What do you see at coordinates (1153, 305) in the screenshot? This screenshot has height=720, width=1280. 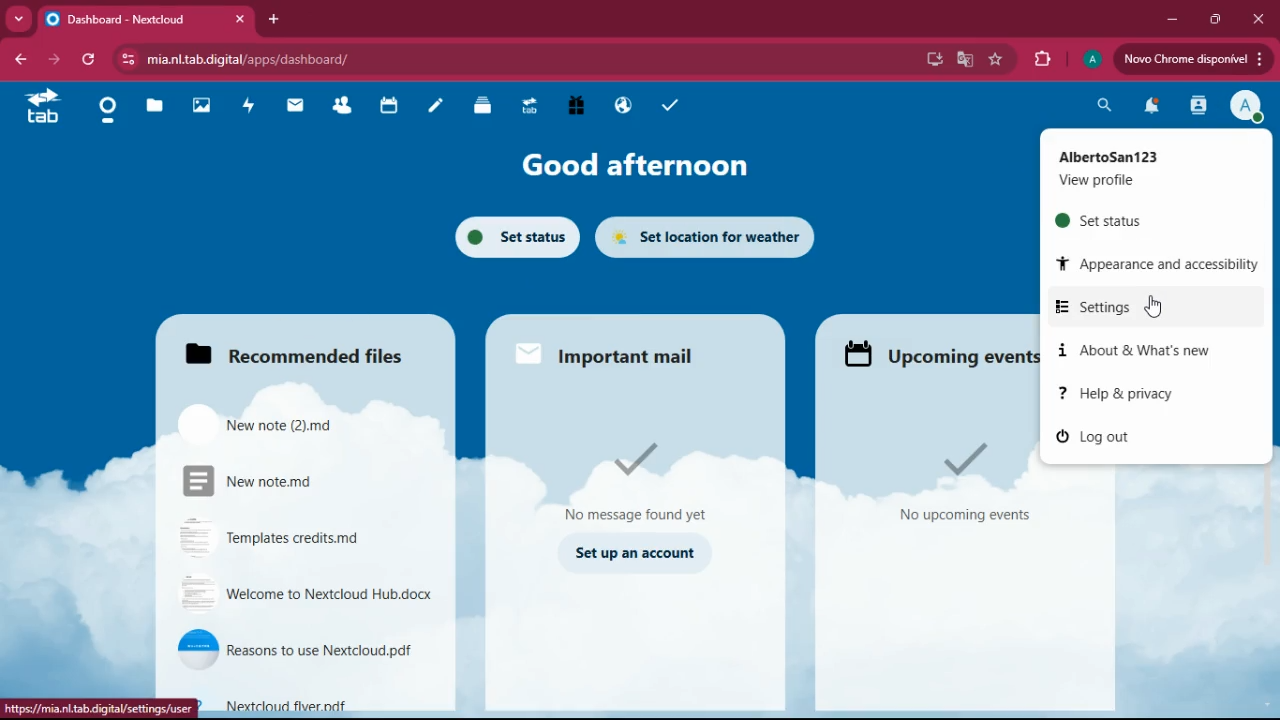 I see `cursor` at bounding box center [1153, 305].